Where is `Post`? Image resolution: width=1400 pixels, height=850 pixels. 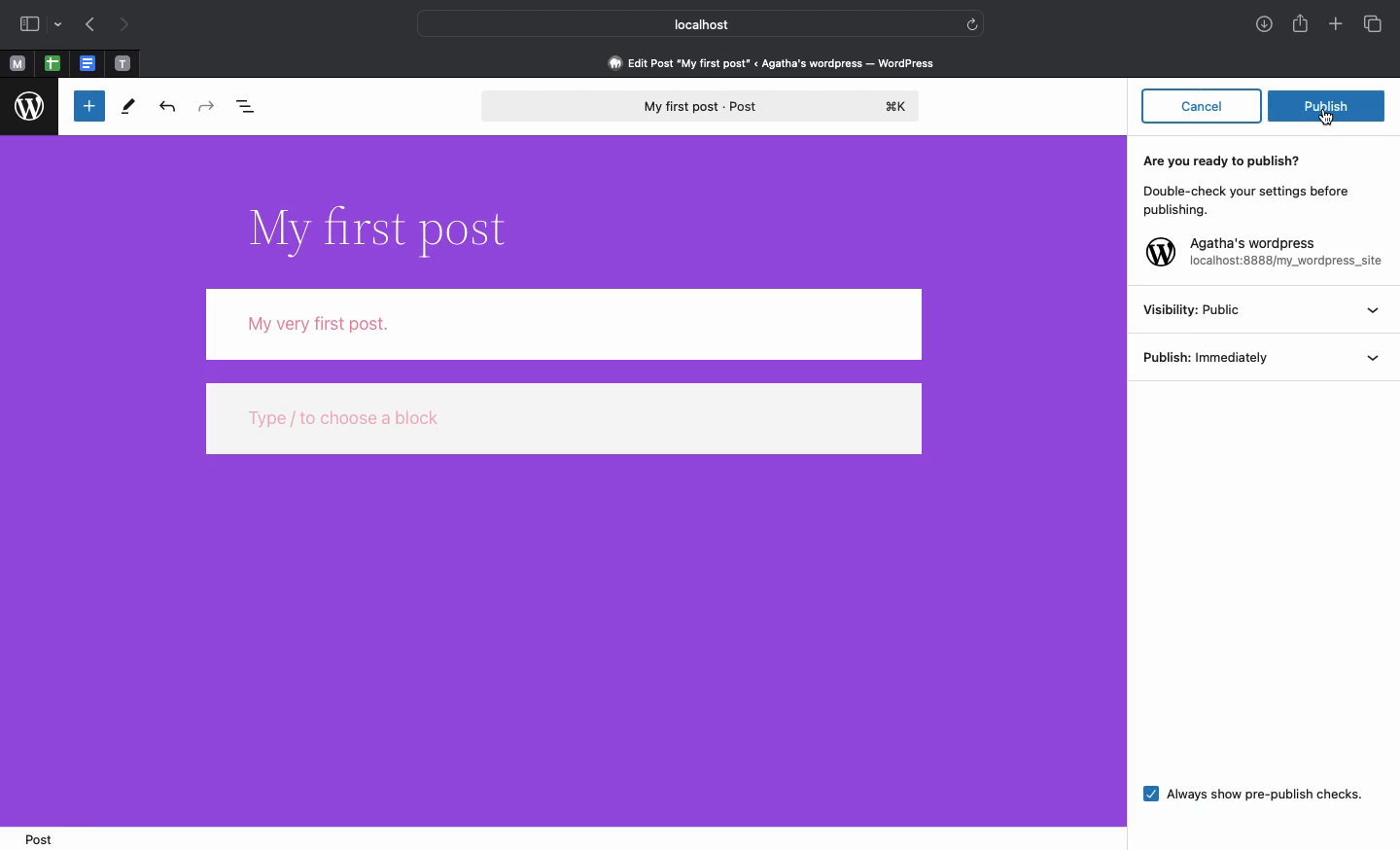
Post is located at coordinates (48, 840).